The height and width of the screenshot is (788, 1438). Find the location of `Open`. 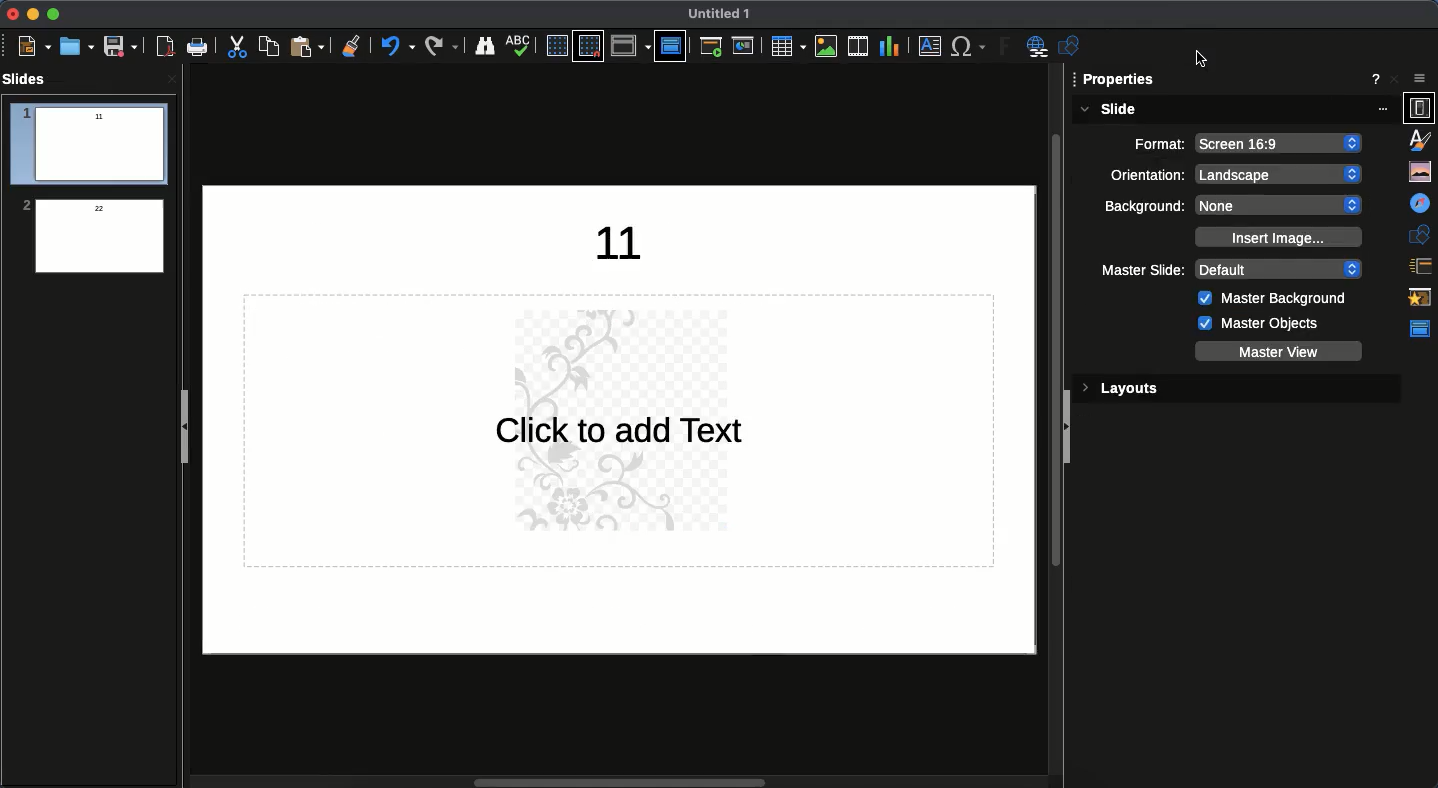

Open is located at coordinates (75, 46).